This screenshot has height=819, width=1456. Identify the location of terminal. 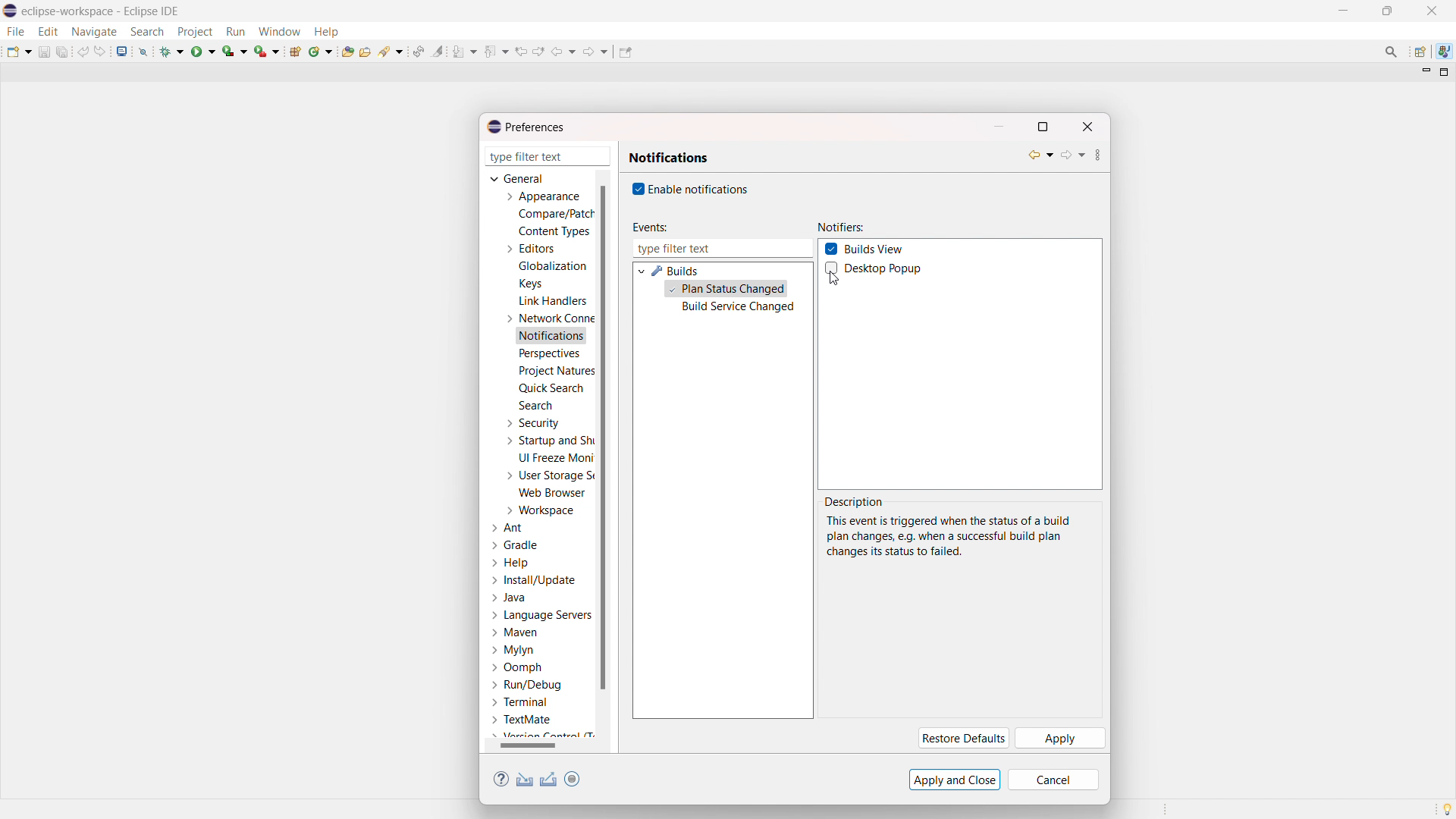
(521, 703).